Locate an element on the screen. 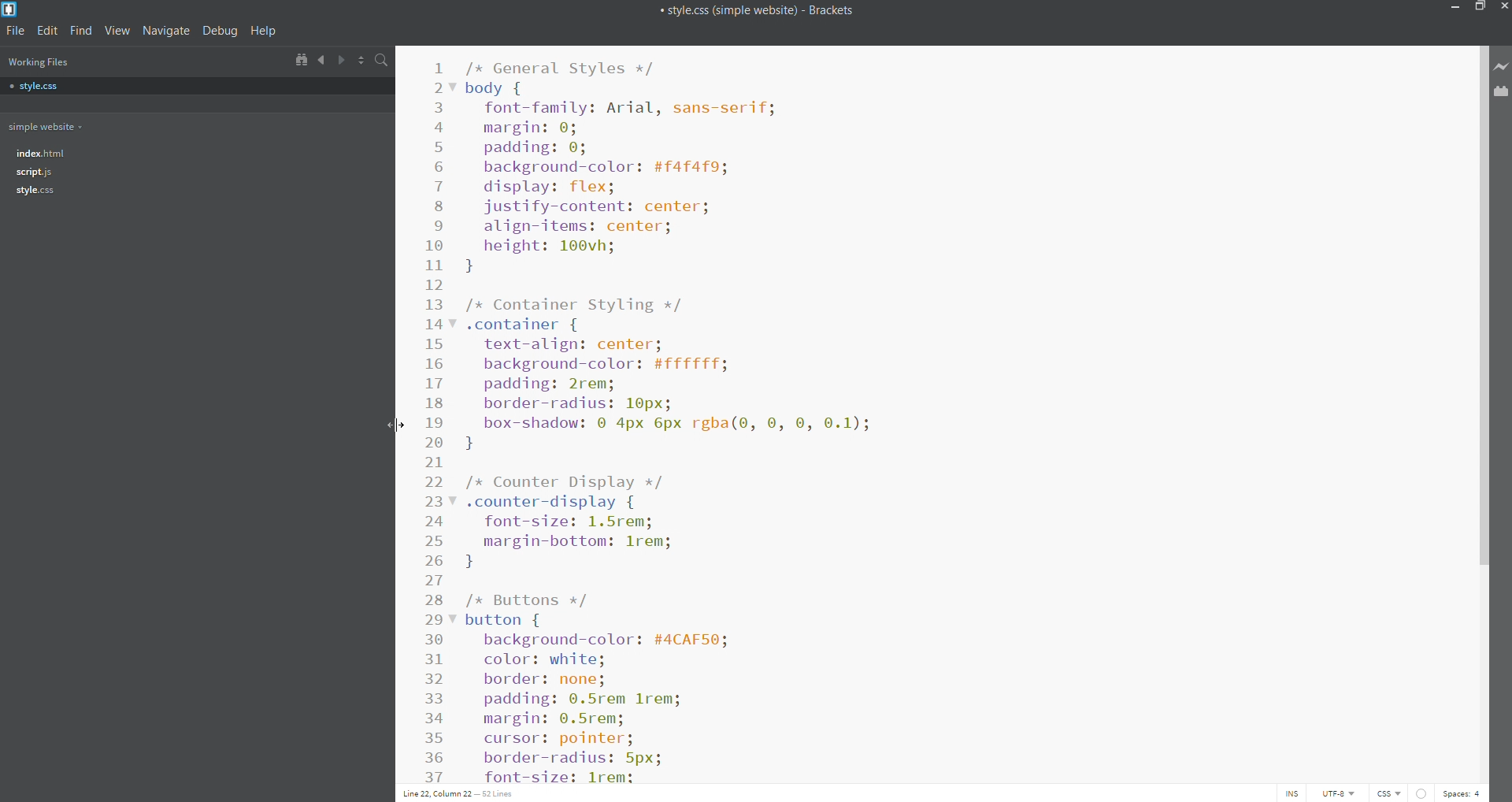  toggle cursor is located at coordinates (1294, 794).